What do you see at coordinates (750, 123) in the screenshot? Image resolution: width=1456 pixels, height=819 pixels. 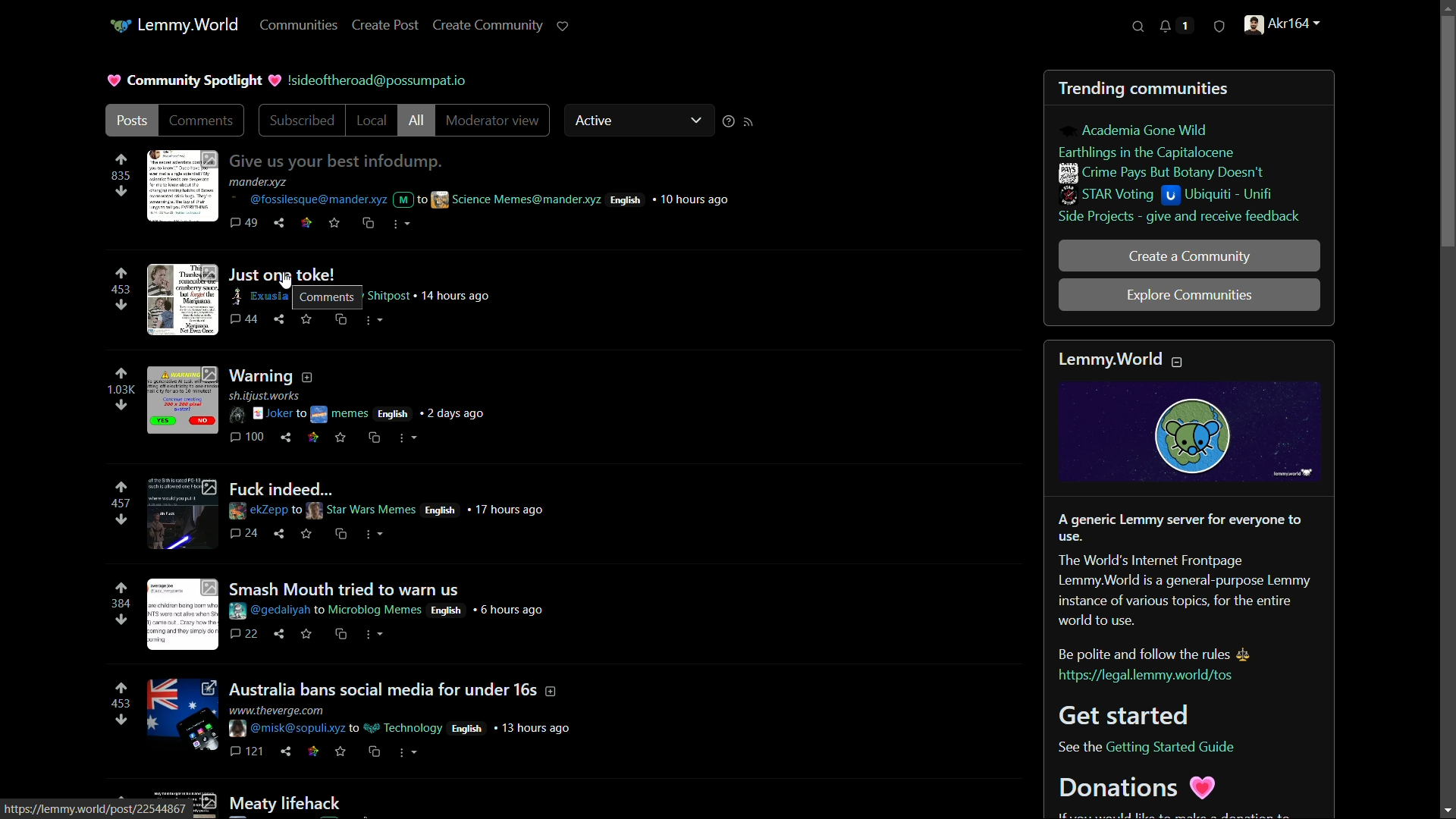 I see `rss` at bounding box center [750, 123].